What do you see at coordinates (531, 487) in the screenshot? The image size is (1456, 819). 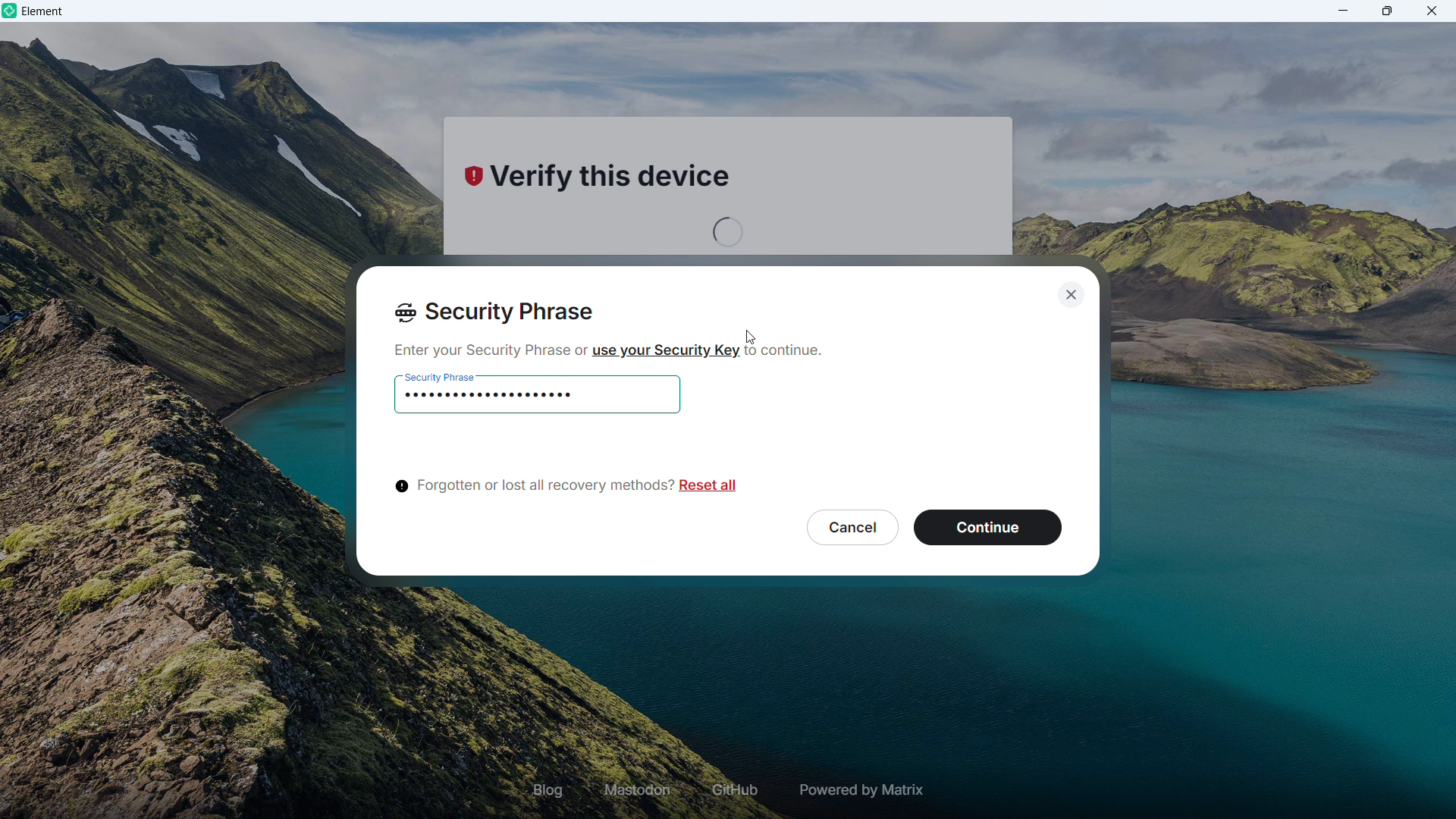 I see `forgotten or lost all recovery methods?` at bounding box center [531, 487].